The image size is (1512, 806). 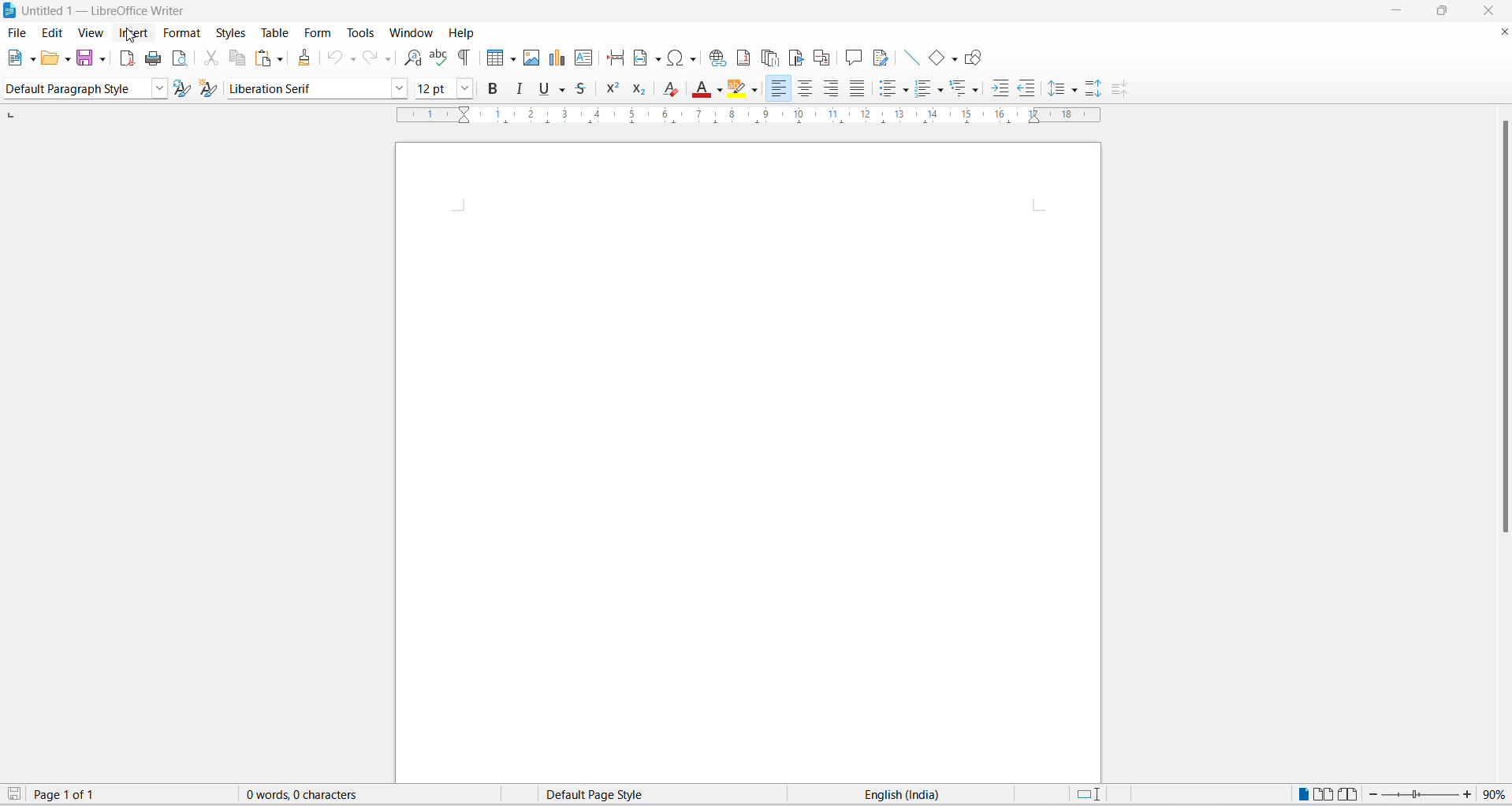 What do you see at coordinates (744, 57) in the screenshot?
I see `insert footnote` at bounding box center [744, 57].